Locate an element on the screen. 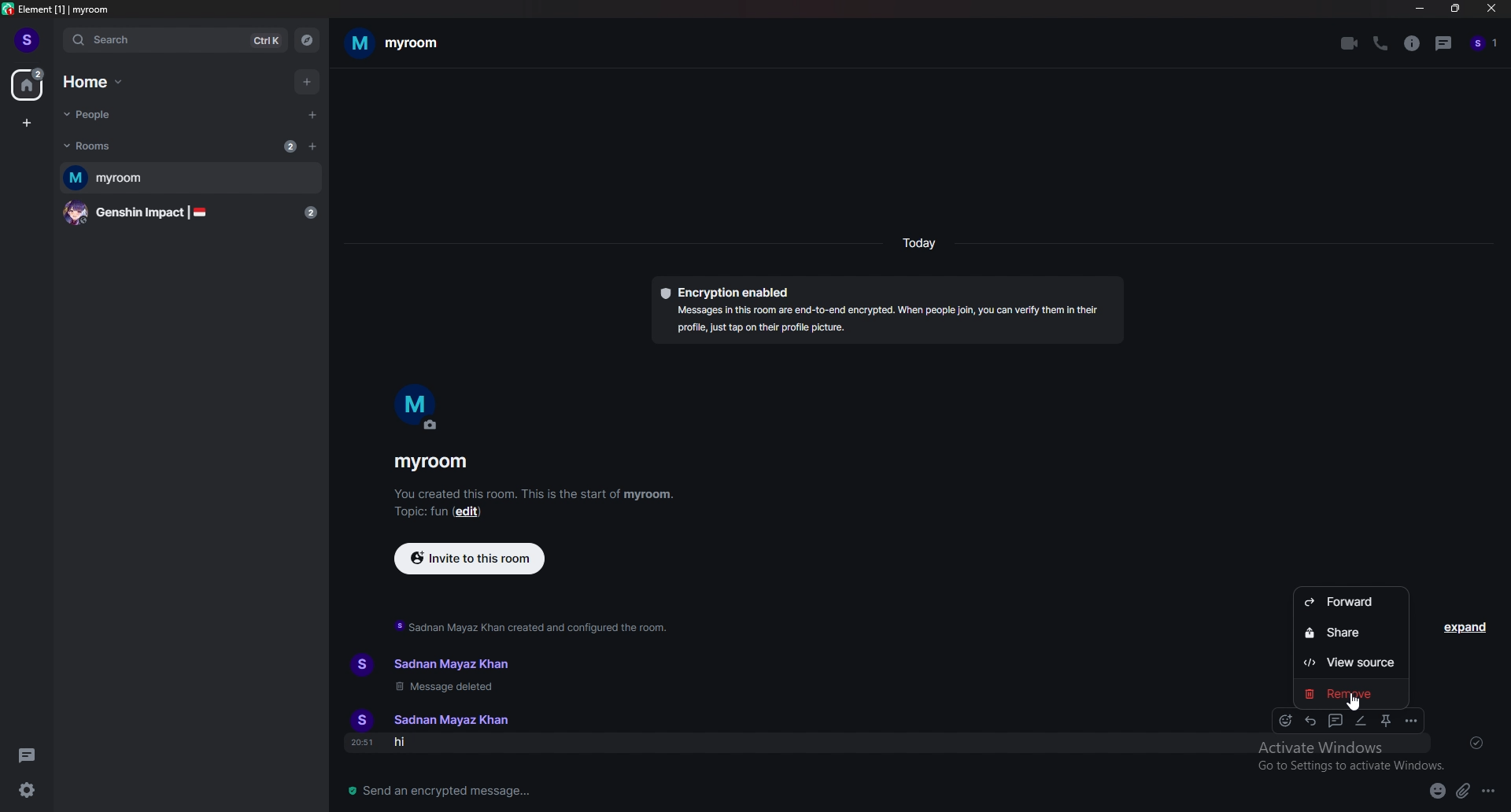 The image size is (1511, 812). minimize is located at coordinates (1419, 9).